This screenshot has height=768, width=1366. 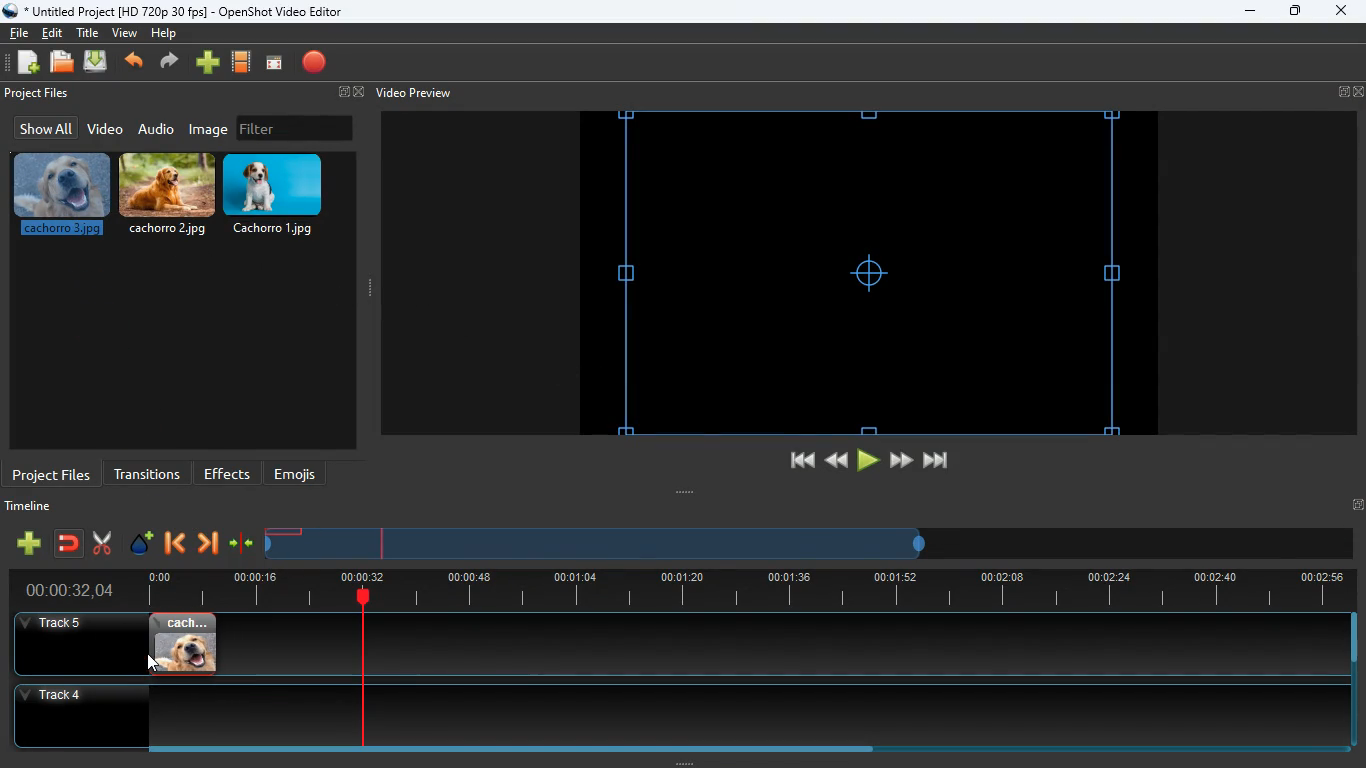 What do you see at coordinates (740, 588) in the screenshot?
I see `timeline` at bounding box center [740, 588].